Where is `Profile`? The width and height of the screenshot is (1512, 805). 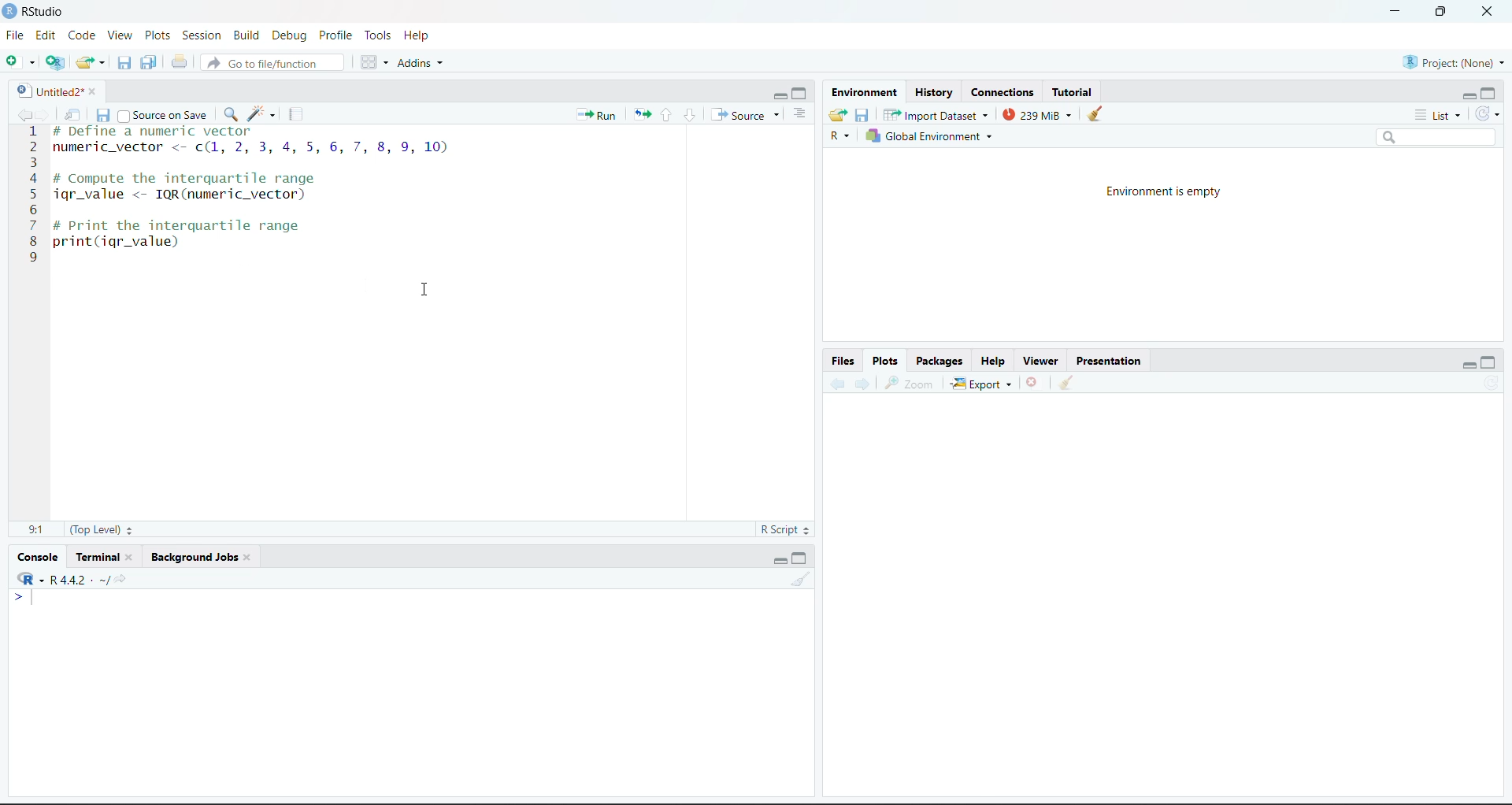
Profile is located at coordinates (333, 35).